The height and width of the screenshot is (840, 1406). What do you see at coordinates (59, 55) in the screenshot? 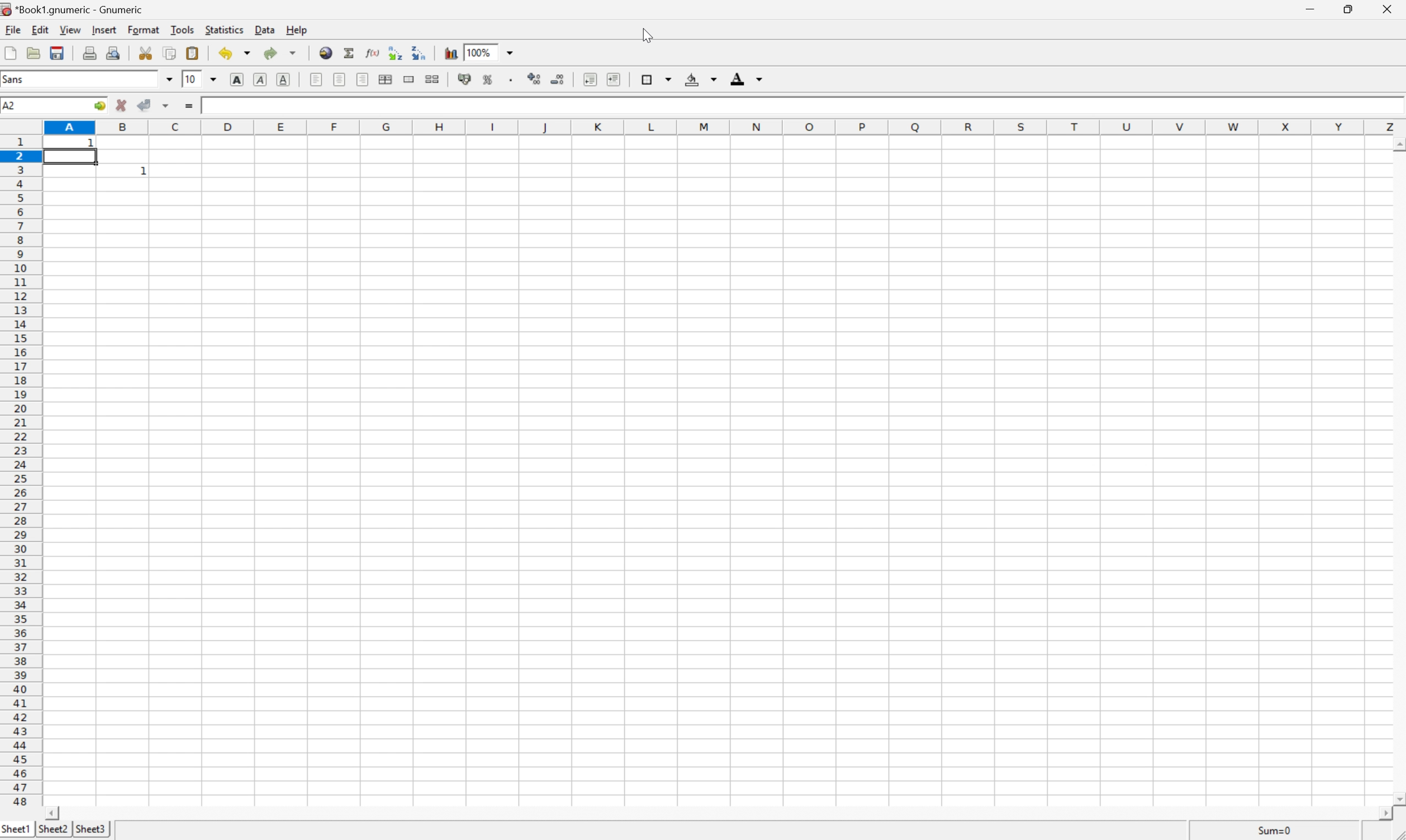
I see `save the current workbook` at bounding box center [59, 55].